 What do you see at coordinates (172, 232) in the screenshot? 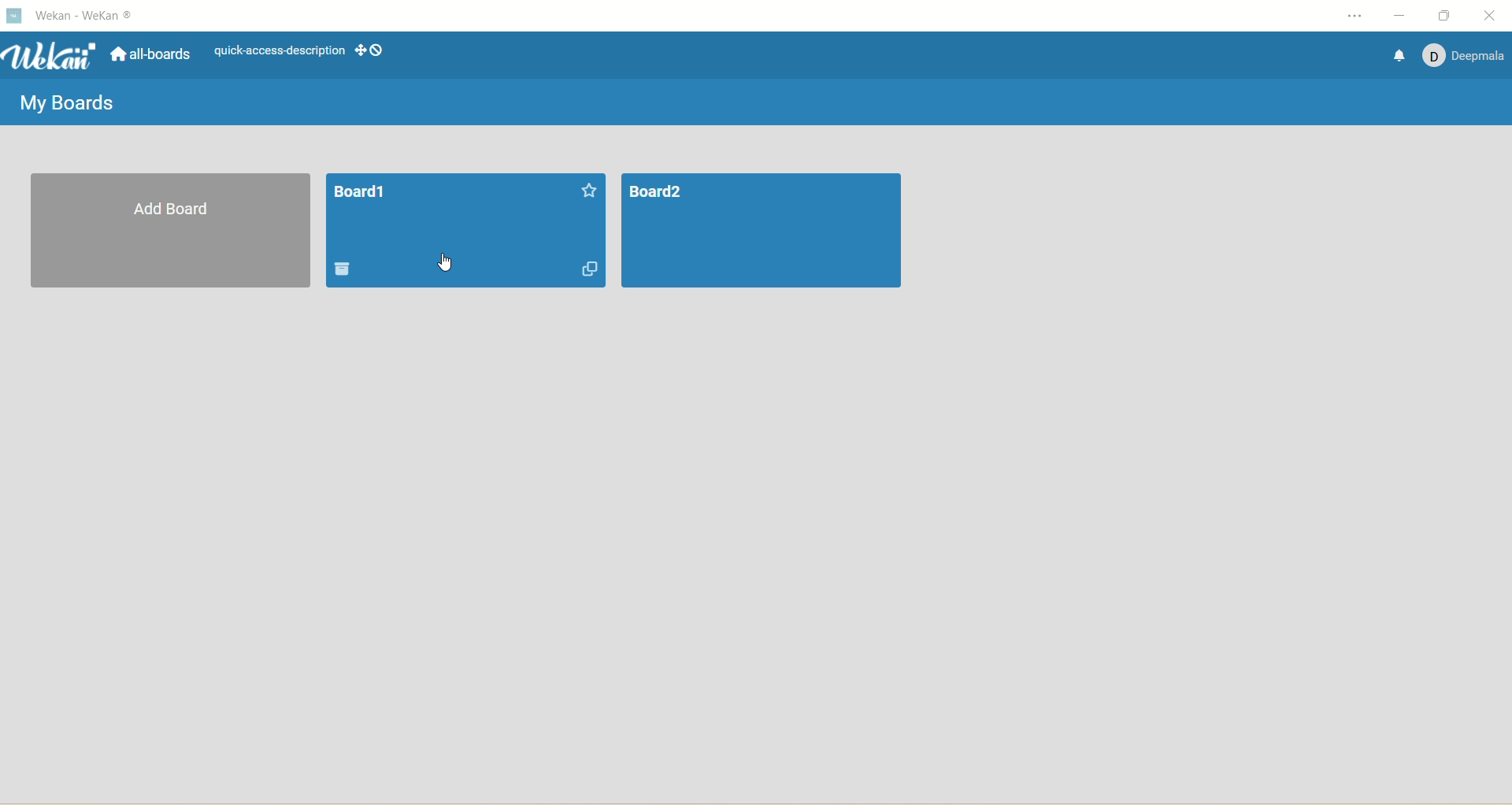
I see `add board` at bounding box center [172, 232].